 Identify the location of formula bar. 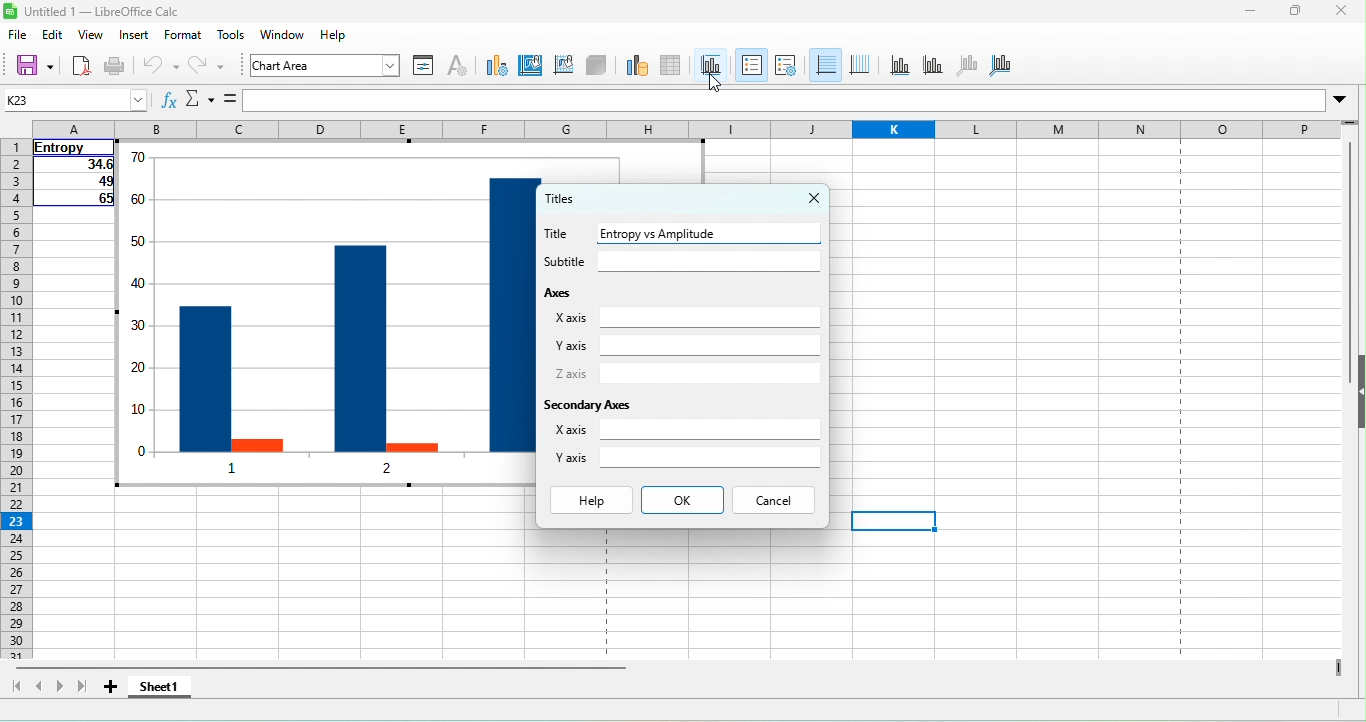
(800, 98).